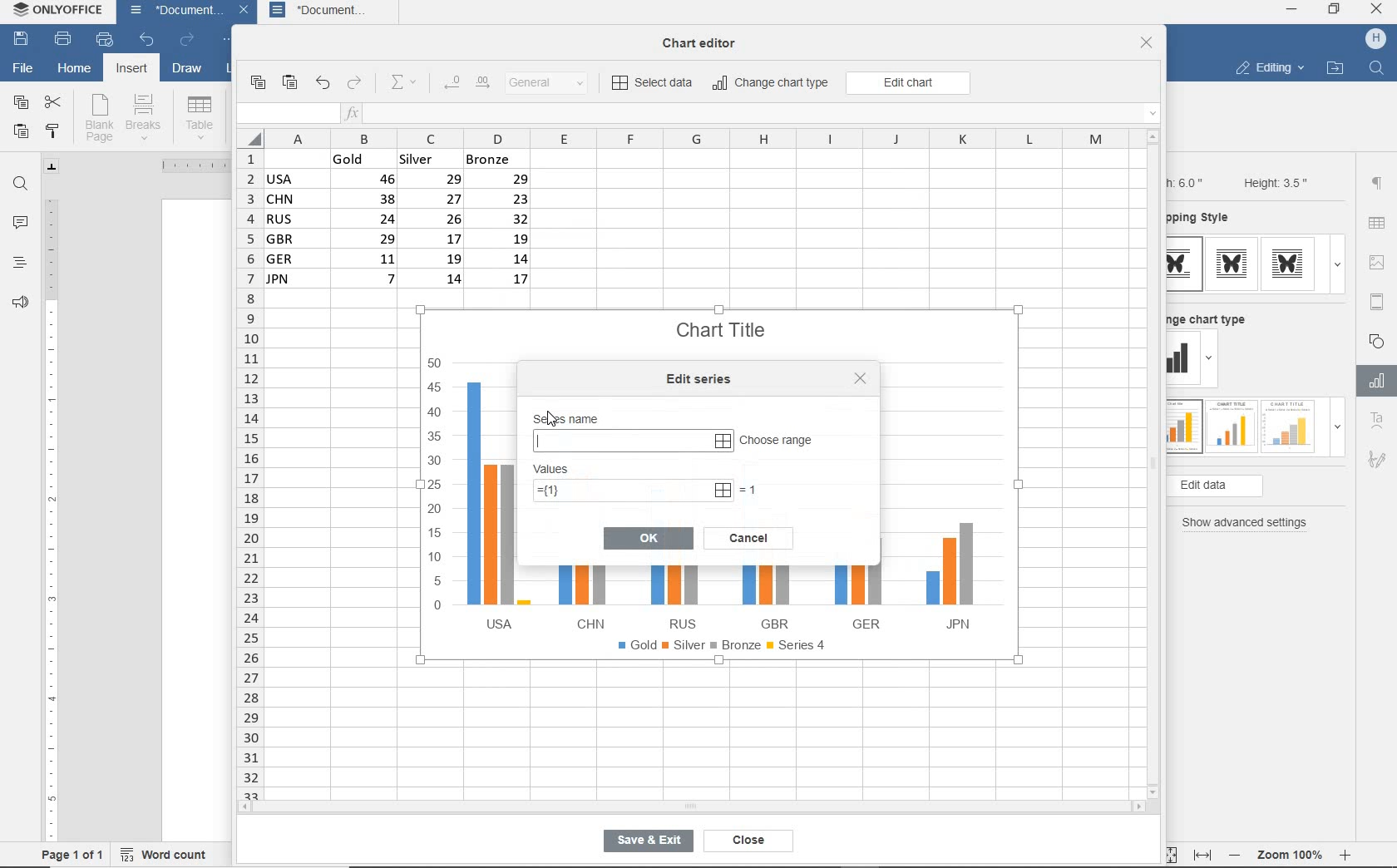 The width and height of the screenshot is (1397, 868). What do you see at coordinates (1147, 44) in the screenshot?
I see `close` at bounding box center [1147, 44].